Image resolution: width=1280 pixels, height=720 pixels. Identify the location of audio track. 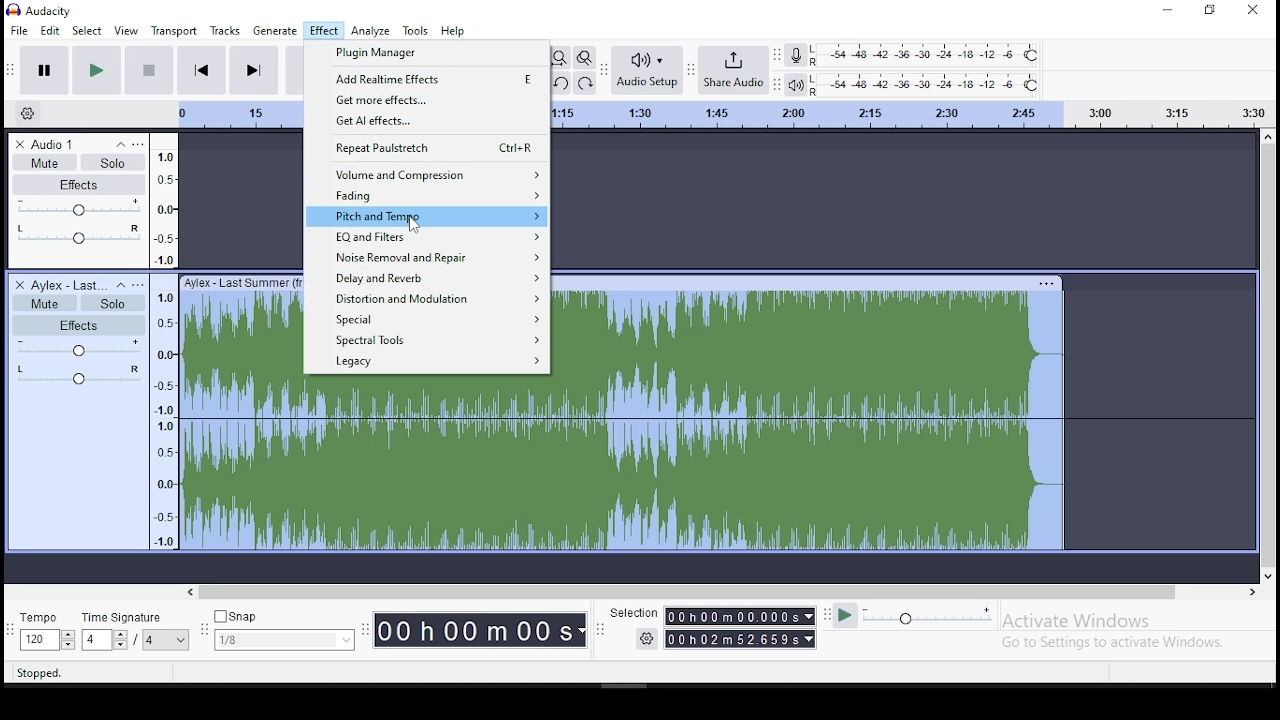
(242, 411).